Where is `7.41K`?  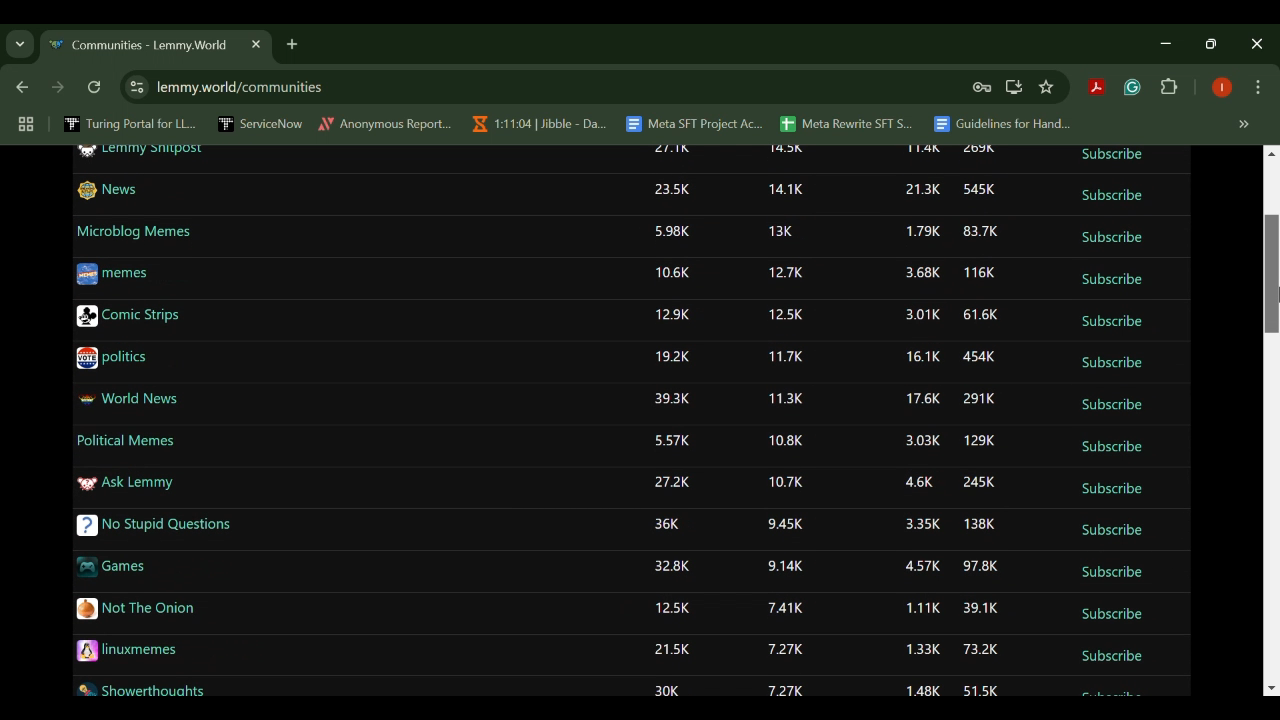 7.41K is located at coordinates (783, 607).